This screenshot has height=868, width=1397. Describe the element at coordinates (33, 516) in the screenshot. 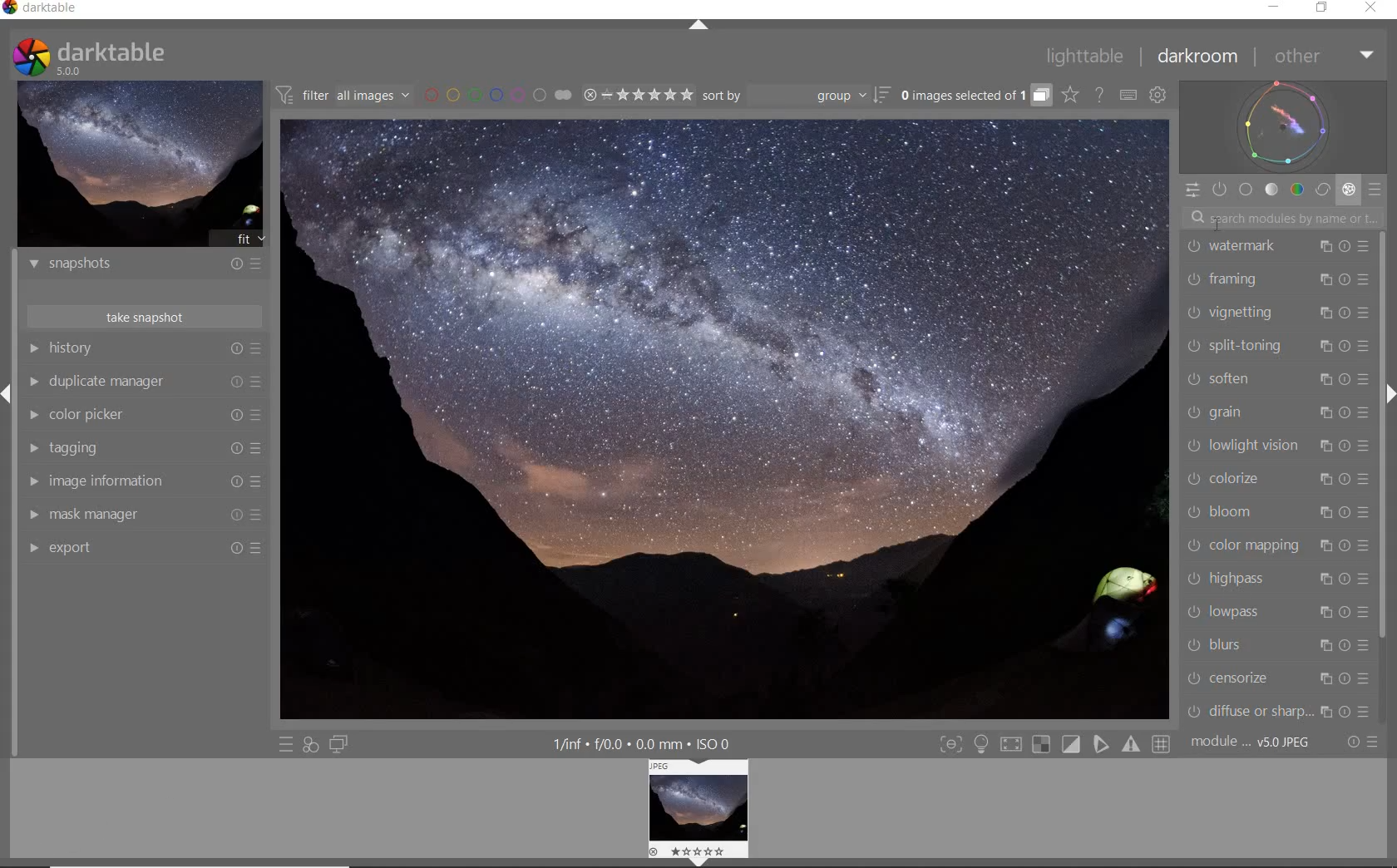

I see `MASK MANAGER` at that location.